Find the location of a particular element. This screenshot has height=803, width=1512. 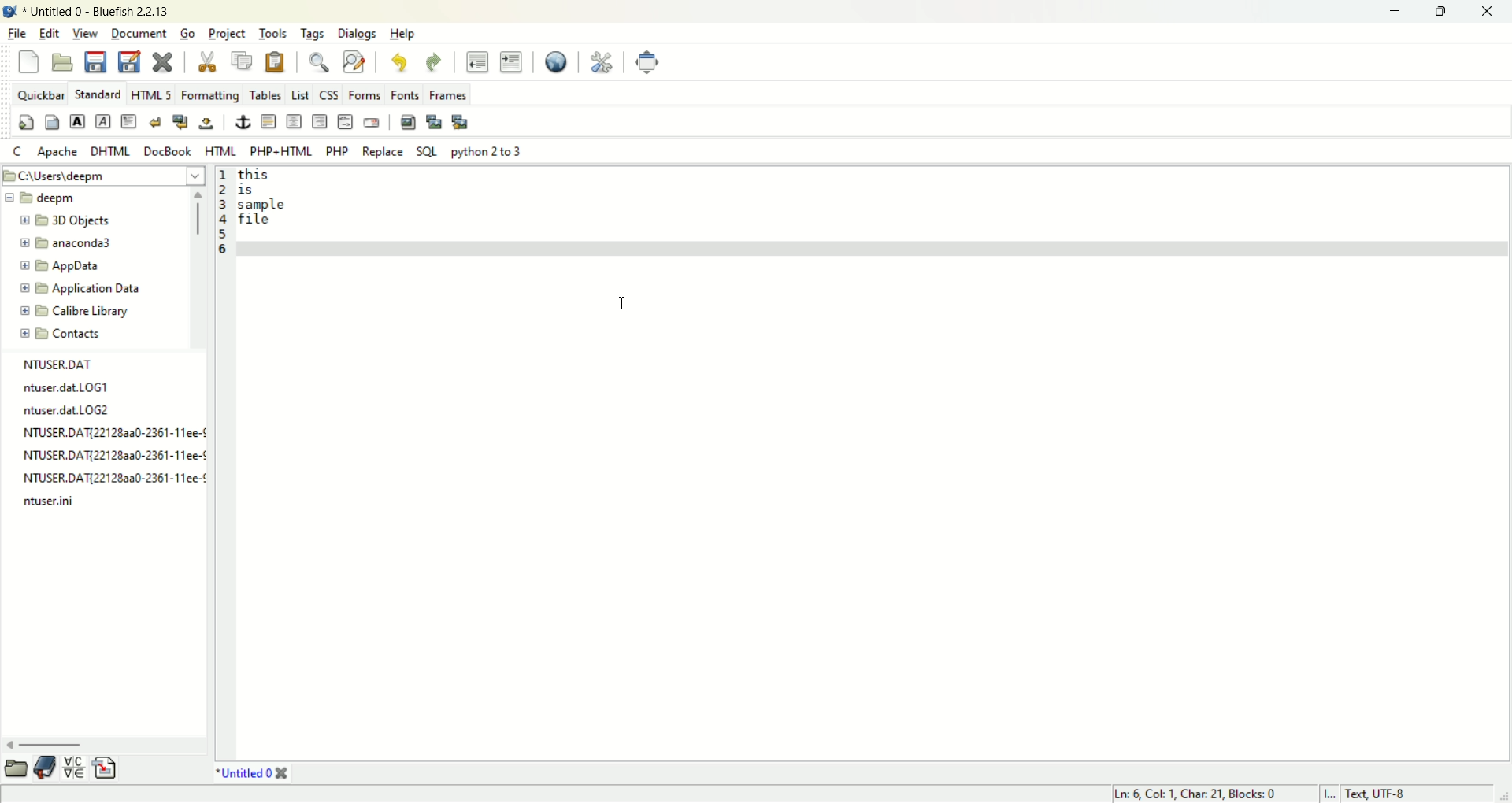

insert thumbnail is located at coordinates (432, 121).